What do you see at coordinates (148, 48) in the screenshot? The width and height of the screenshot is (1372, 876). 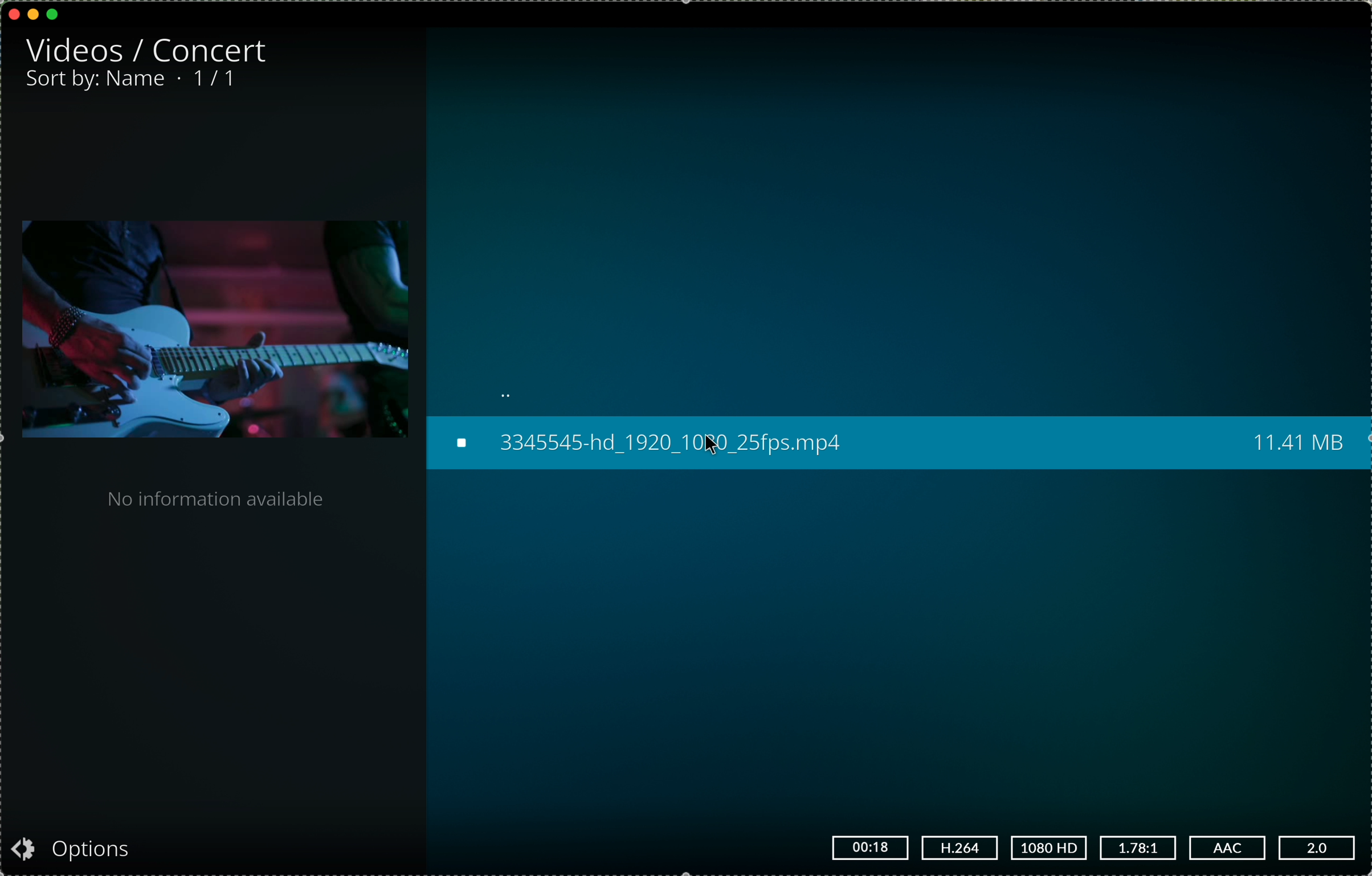 I see `videos/concert` at bounding box center [148, 48].